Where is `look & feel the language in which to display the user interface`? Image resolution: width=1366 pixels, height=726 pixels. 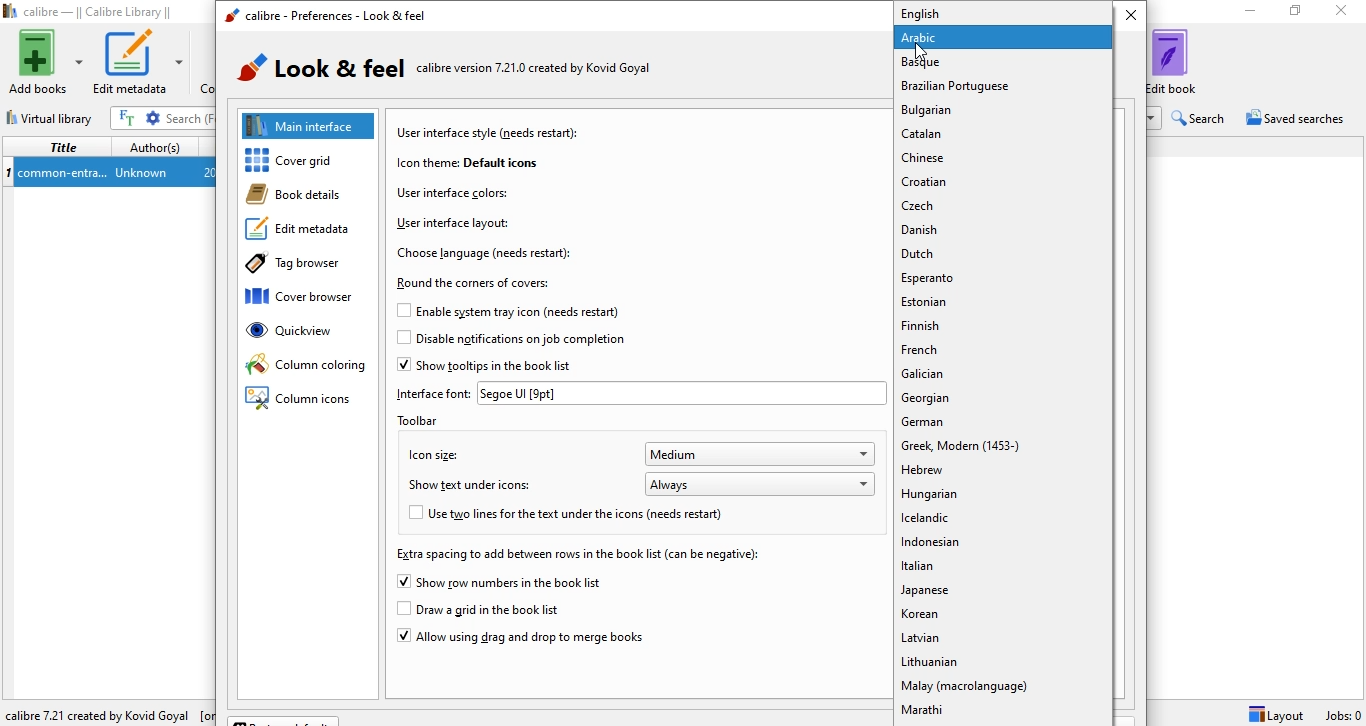 look & feel the language in which to display the user interface is located at coordinates (474, 71).